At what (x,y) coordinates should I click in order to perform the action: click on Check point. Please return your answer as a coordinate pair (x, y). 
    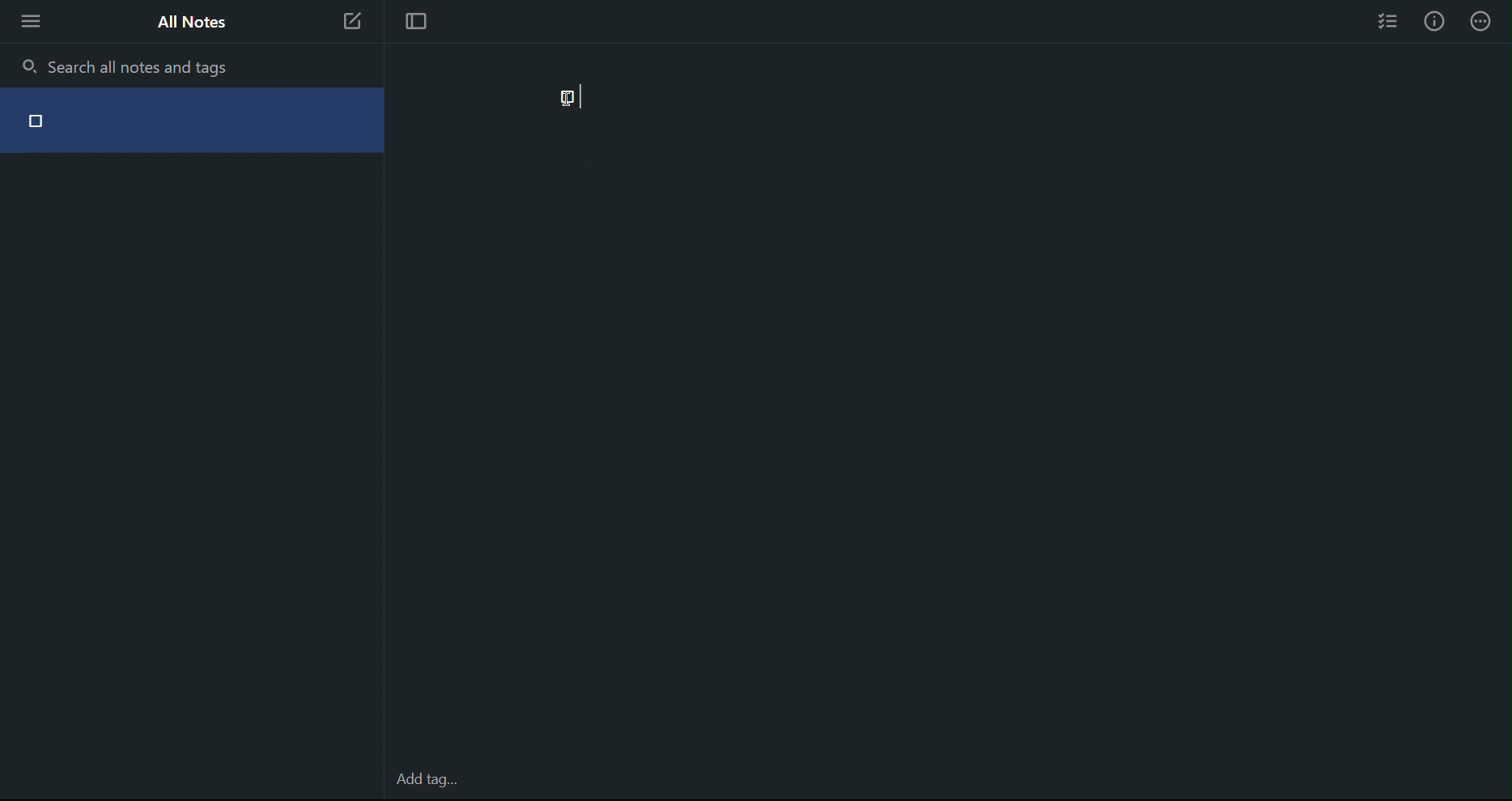
    Looking at the image, I should click on (40, 119).